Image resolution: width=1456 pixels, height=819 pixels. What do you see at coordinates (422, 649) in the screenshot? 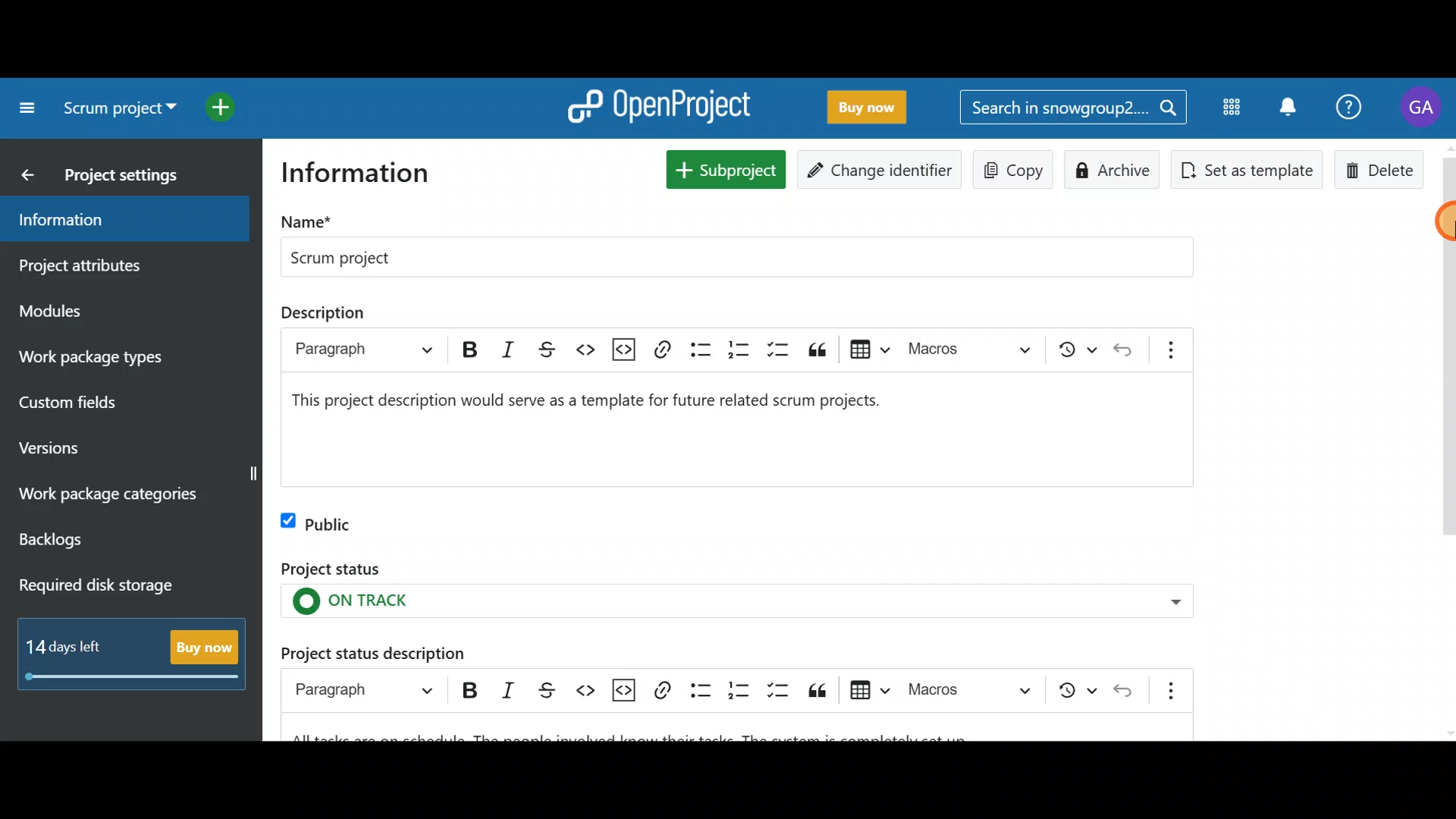
I see `Project status description` at bounding box center [422, 649].